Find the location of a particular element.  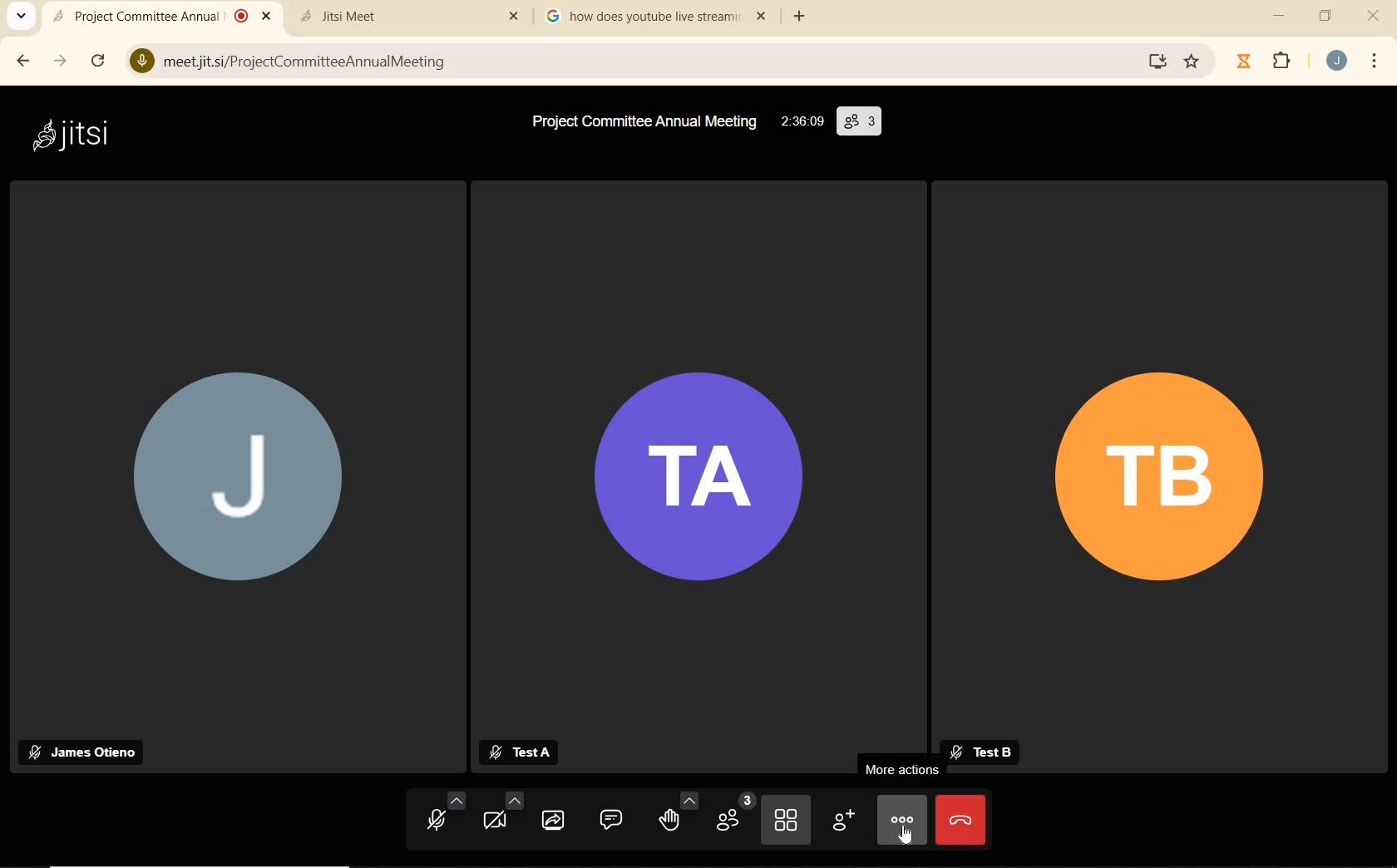

TA is located at coordinates (692, 479).